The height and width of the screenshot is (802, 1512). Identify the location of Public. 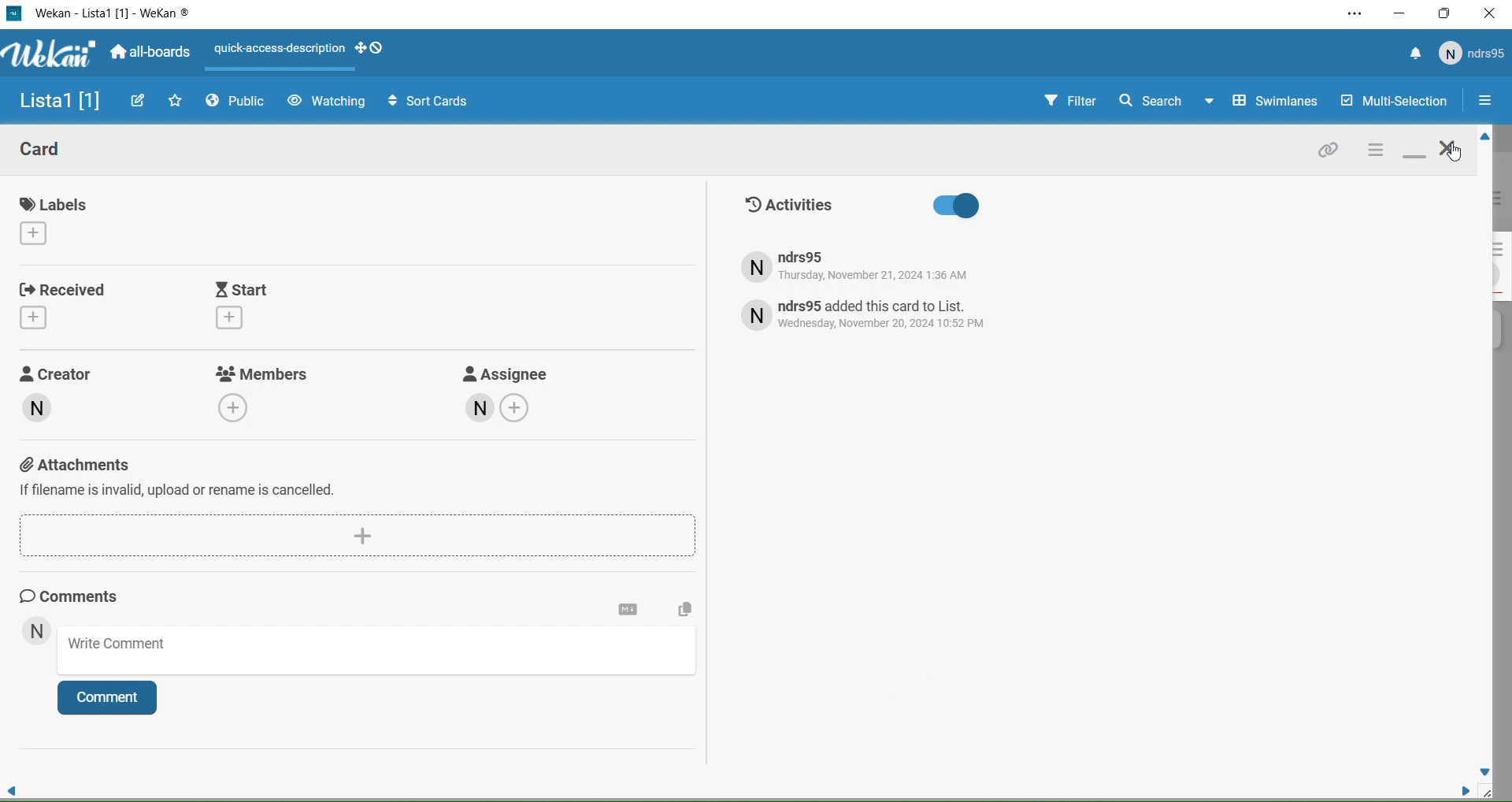
(239, 103).